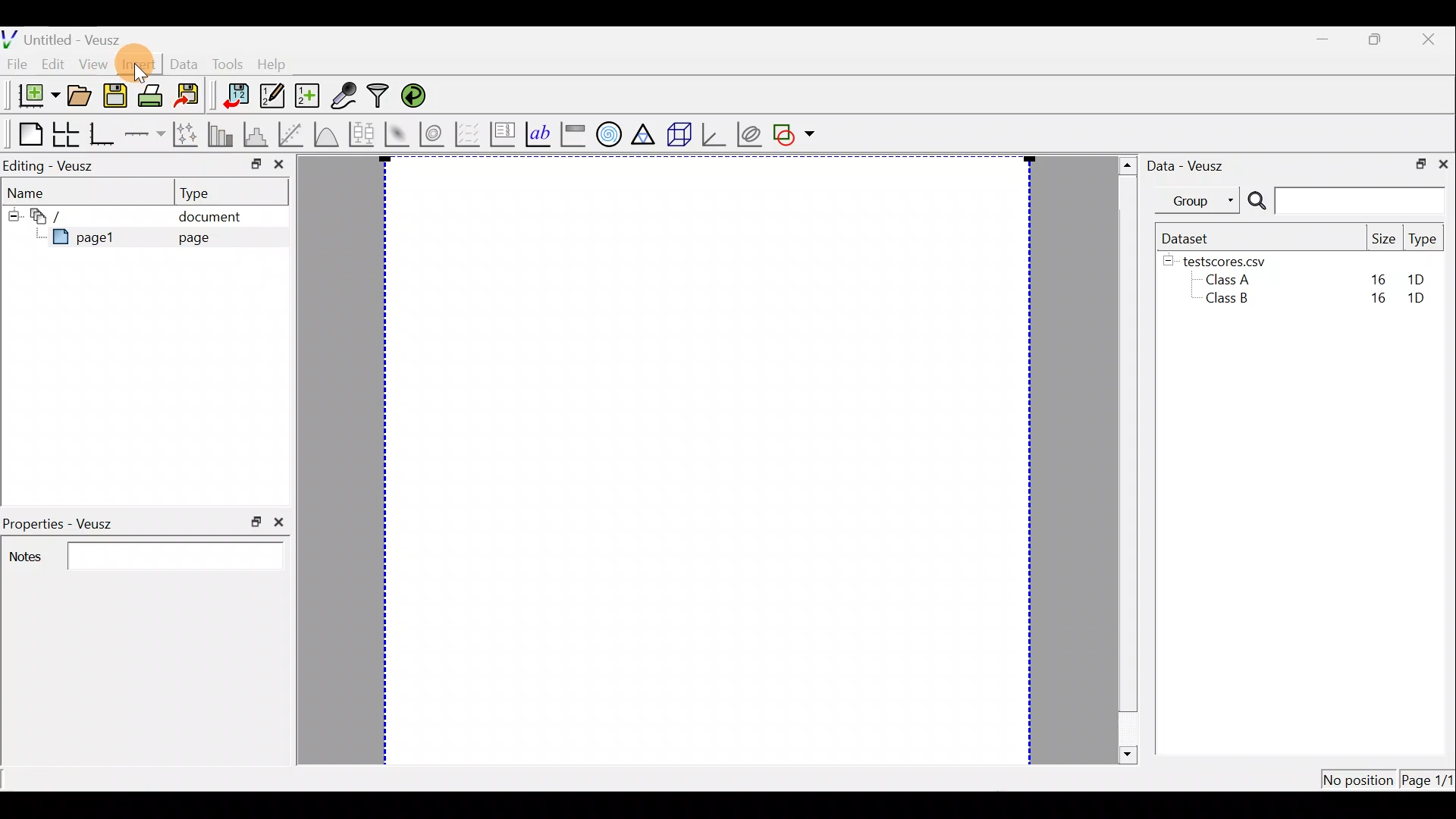  I want to click on page, so click(203, 240).